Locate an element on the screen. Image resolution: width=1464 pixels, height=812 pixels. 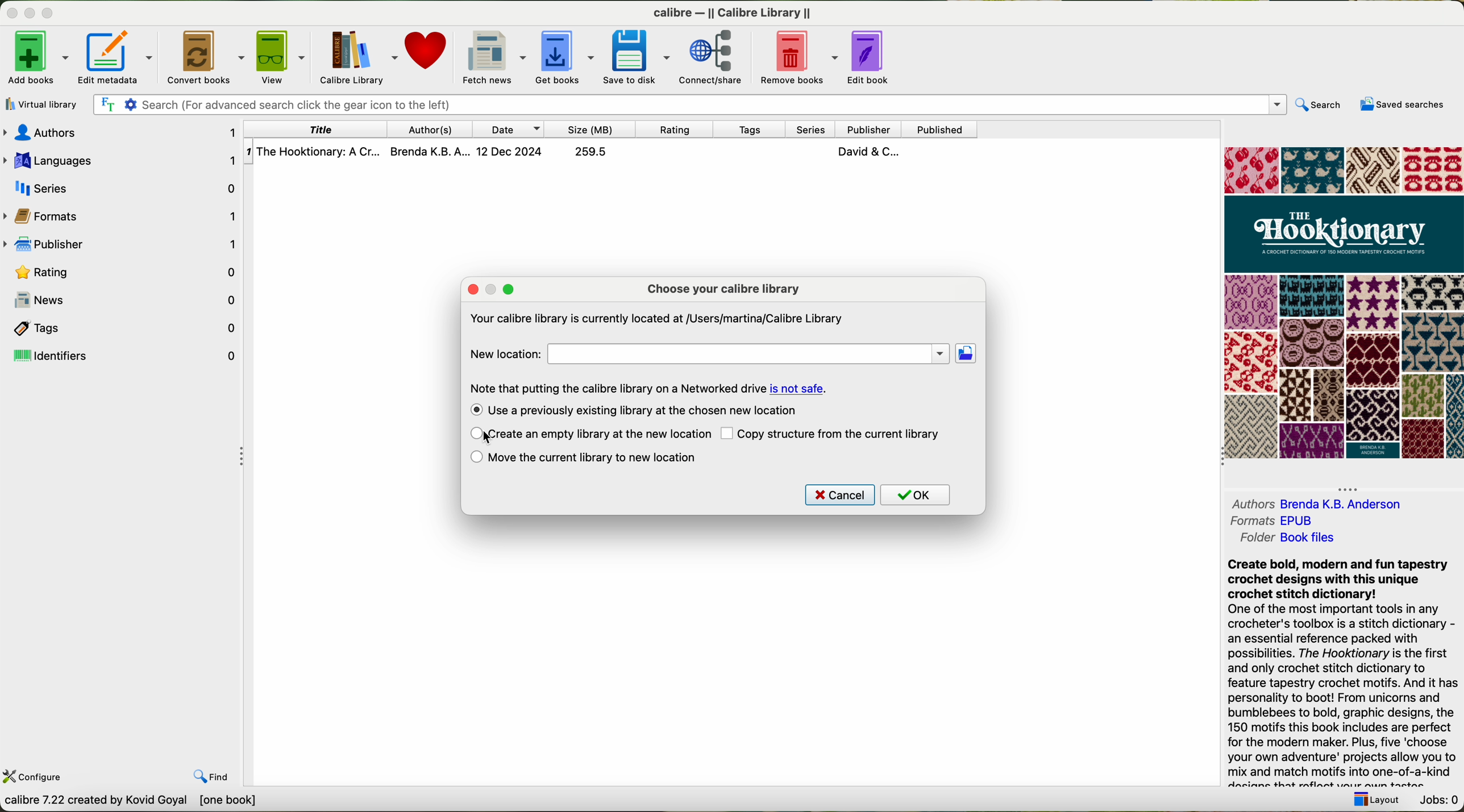
close popup is located at coordinates (471, 288).